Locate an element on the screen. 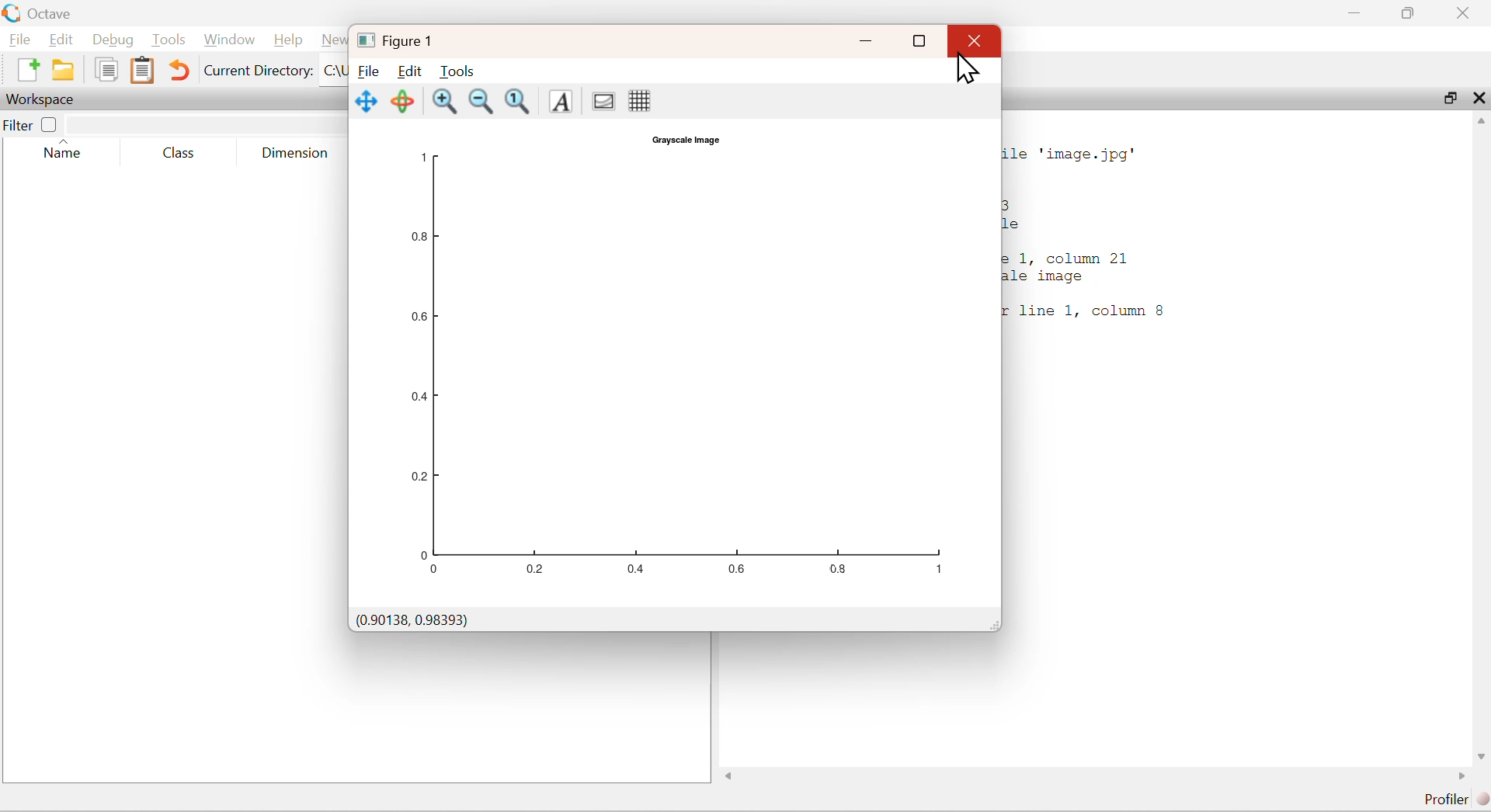 The height and width of the screenshot is (812, 1491). Edit is located at coordinates (64, 41).